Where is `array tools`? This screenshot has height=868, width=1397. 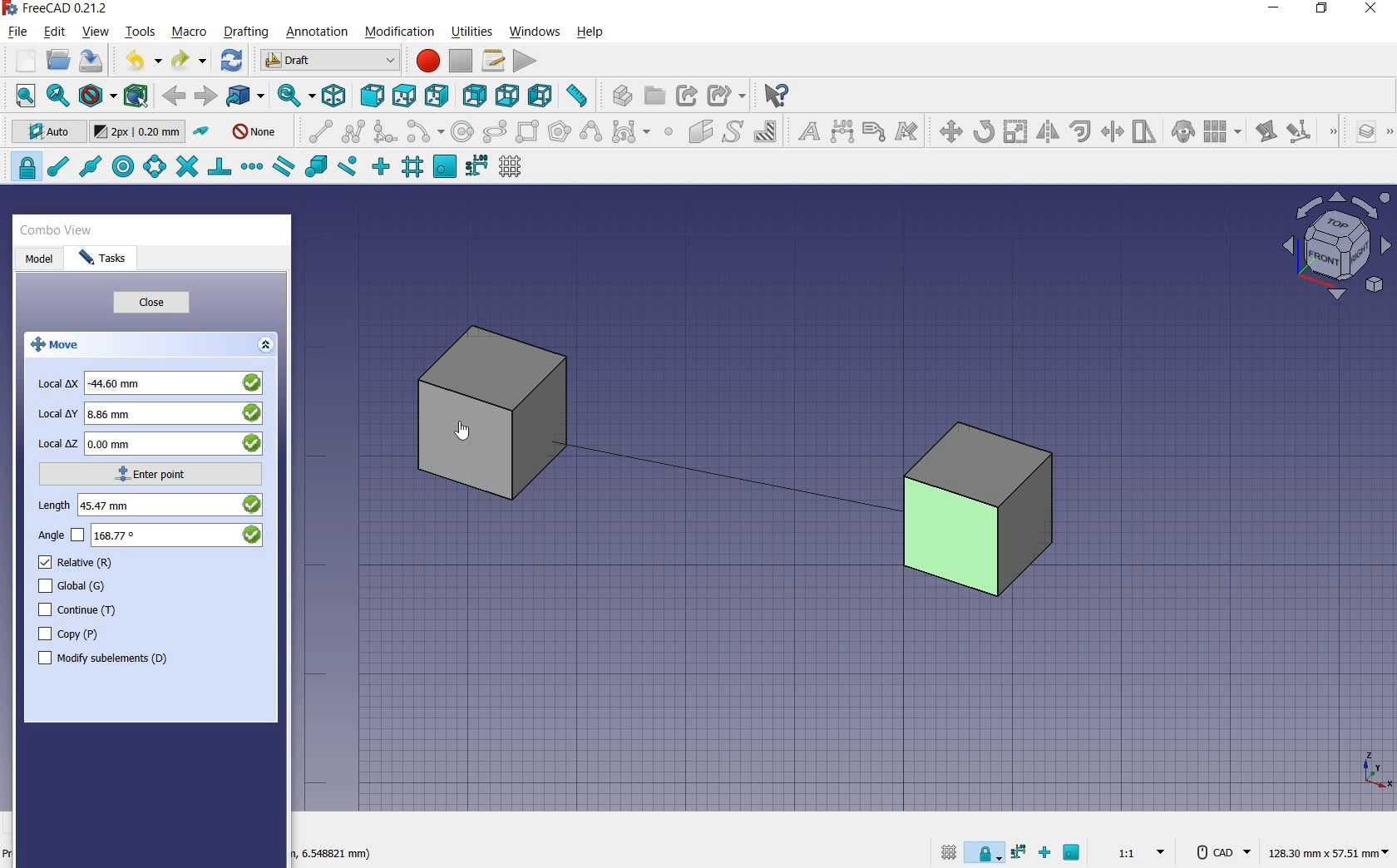 array tools is located at coordinates (1221, 131).